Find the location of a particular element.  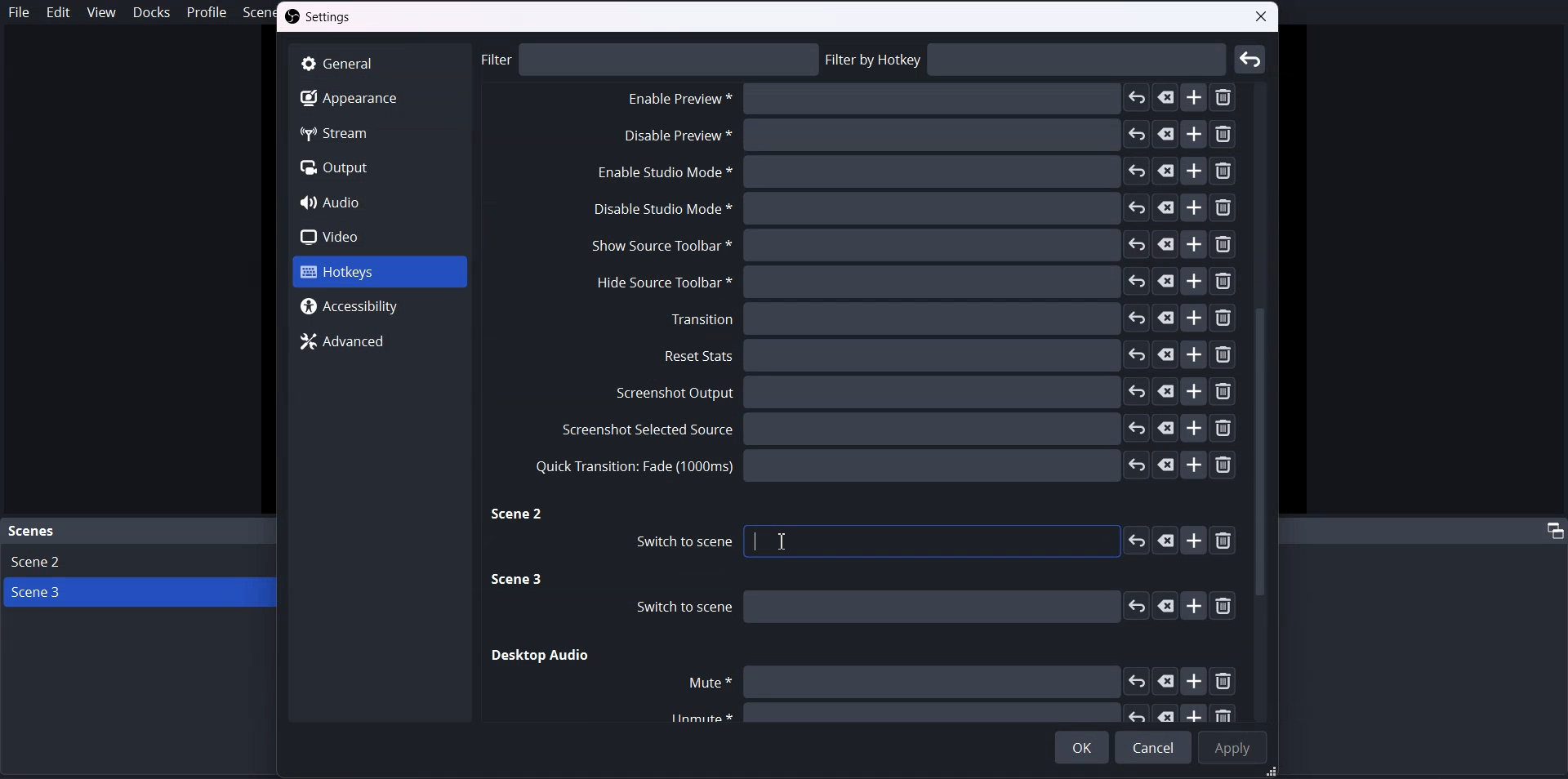

Edit is located at coordinates (58, 12).